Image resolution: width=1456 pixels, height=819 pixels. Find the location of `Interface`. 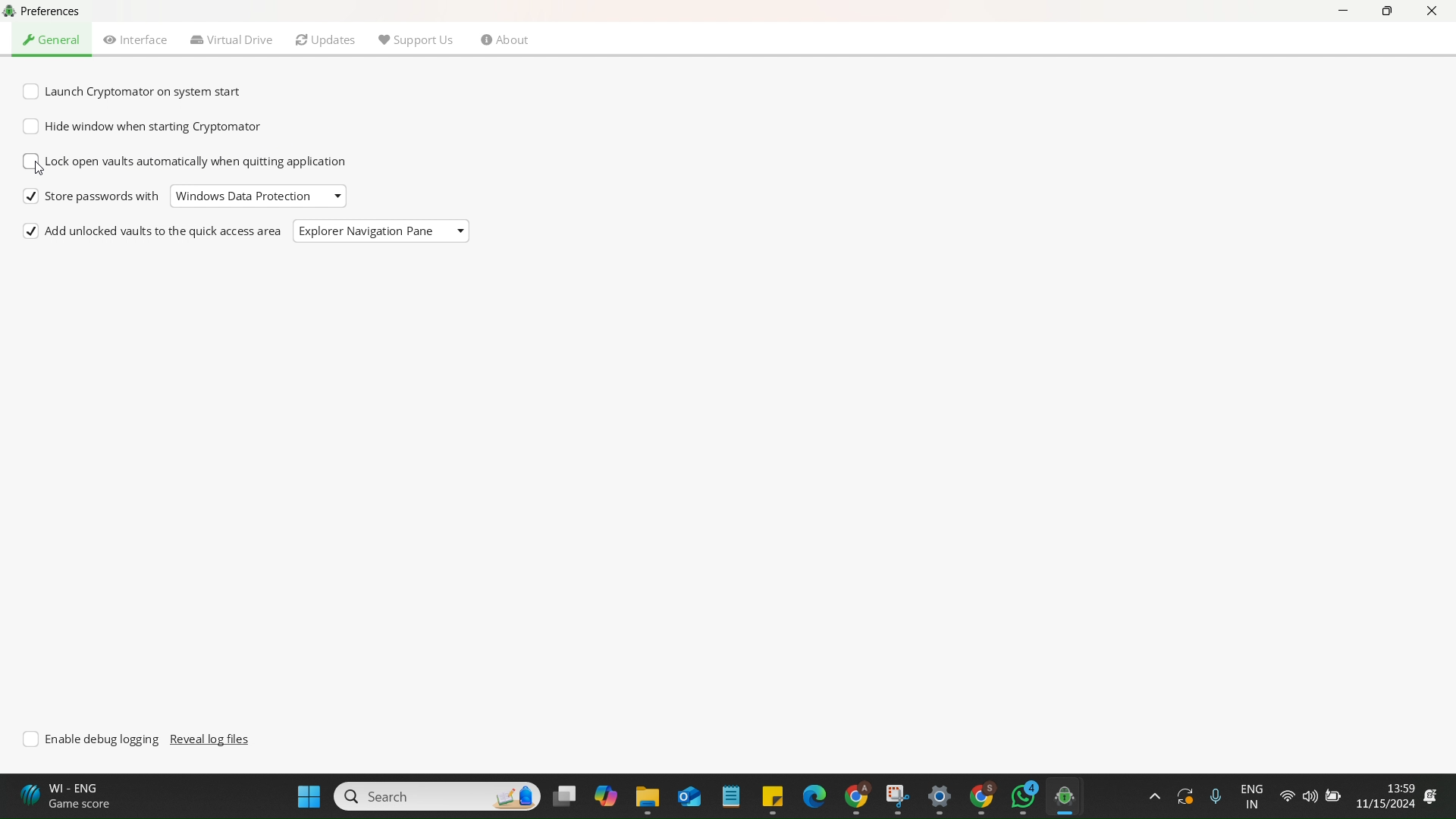

Interface is located at coordinates (136, 39).